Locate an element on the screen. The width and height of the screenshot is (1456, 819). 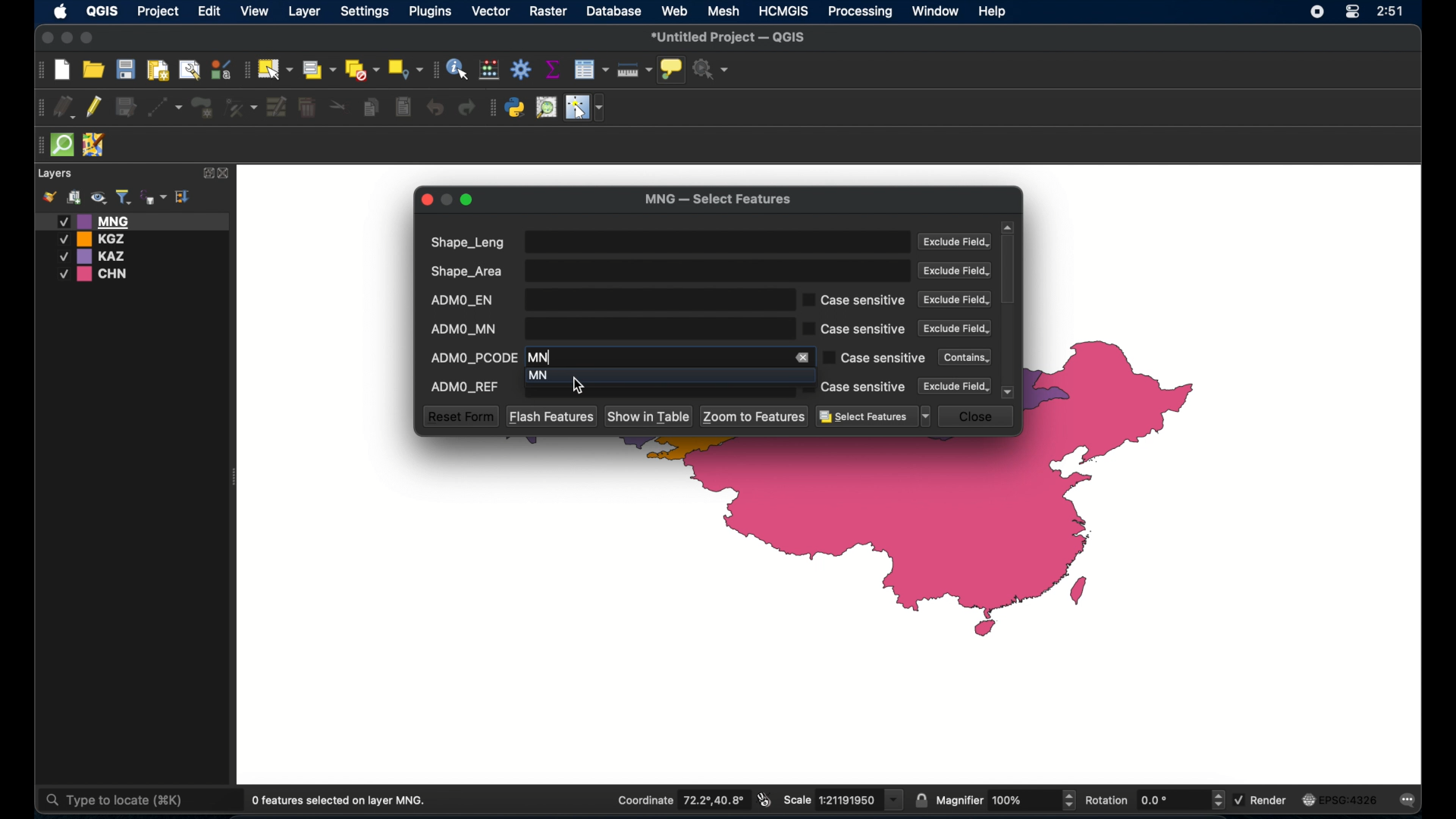
render is located at coordinates (1264, 799).